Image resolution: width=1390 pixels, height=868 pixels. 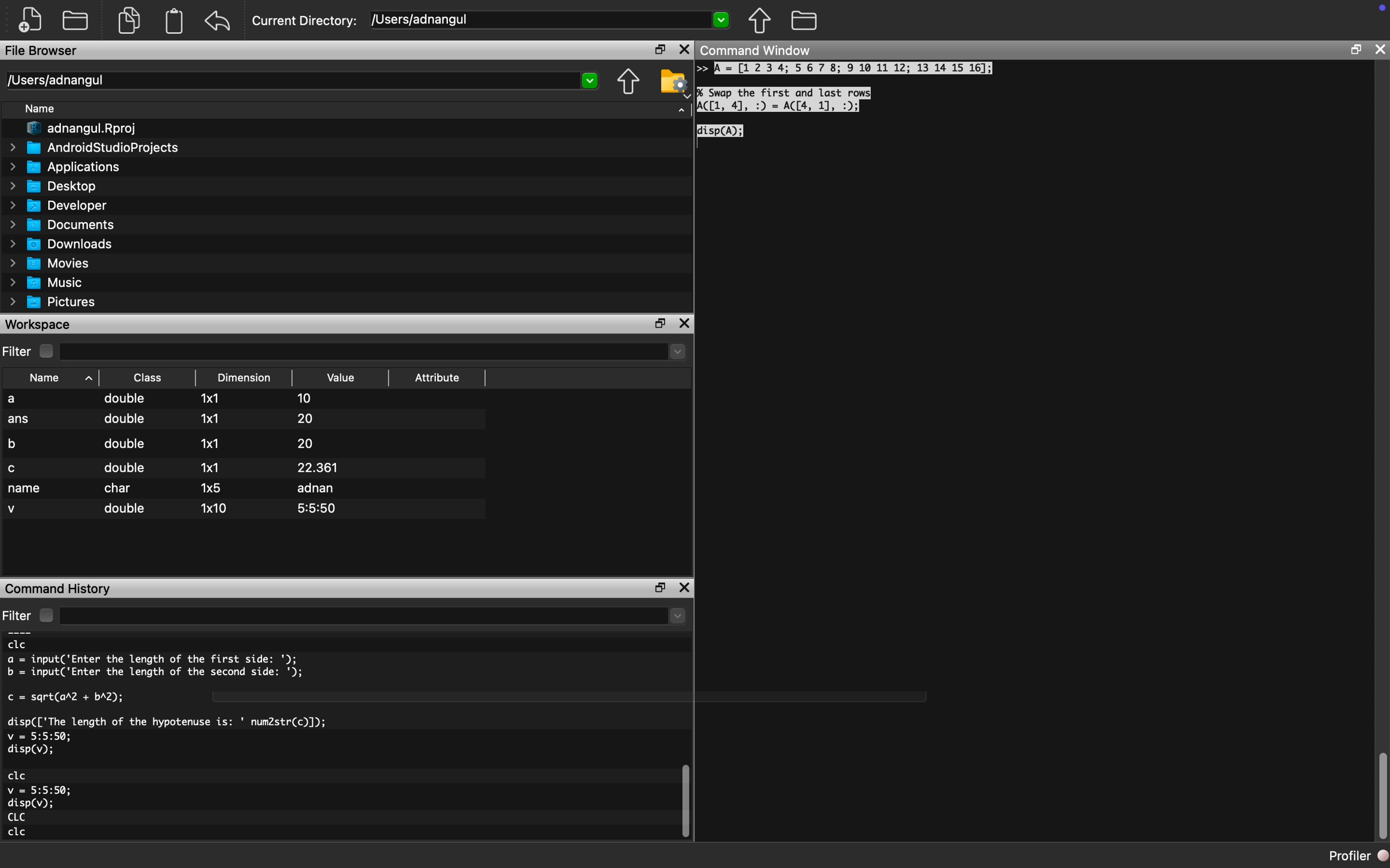 What do you see at coordinates (658, 323) in the screenshot?
I see `Restore` at bounding box center [658, 323].